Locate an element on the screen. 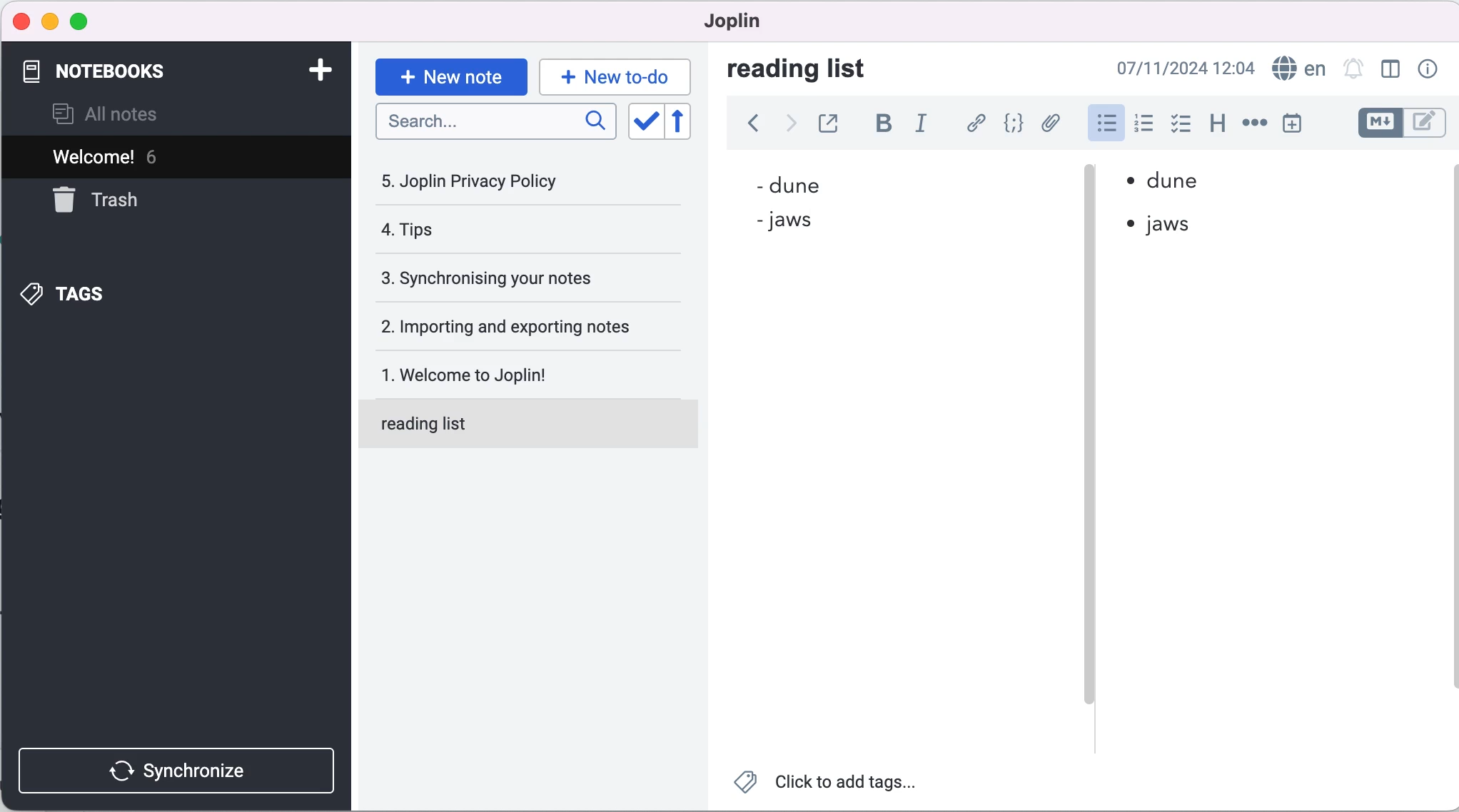 This screenshot has width=1459, height=812. jaws is located at coordinates (811, 223).